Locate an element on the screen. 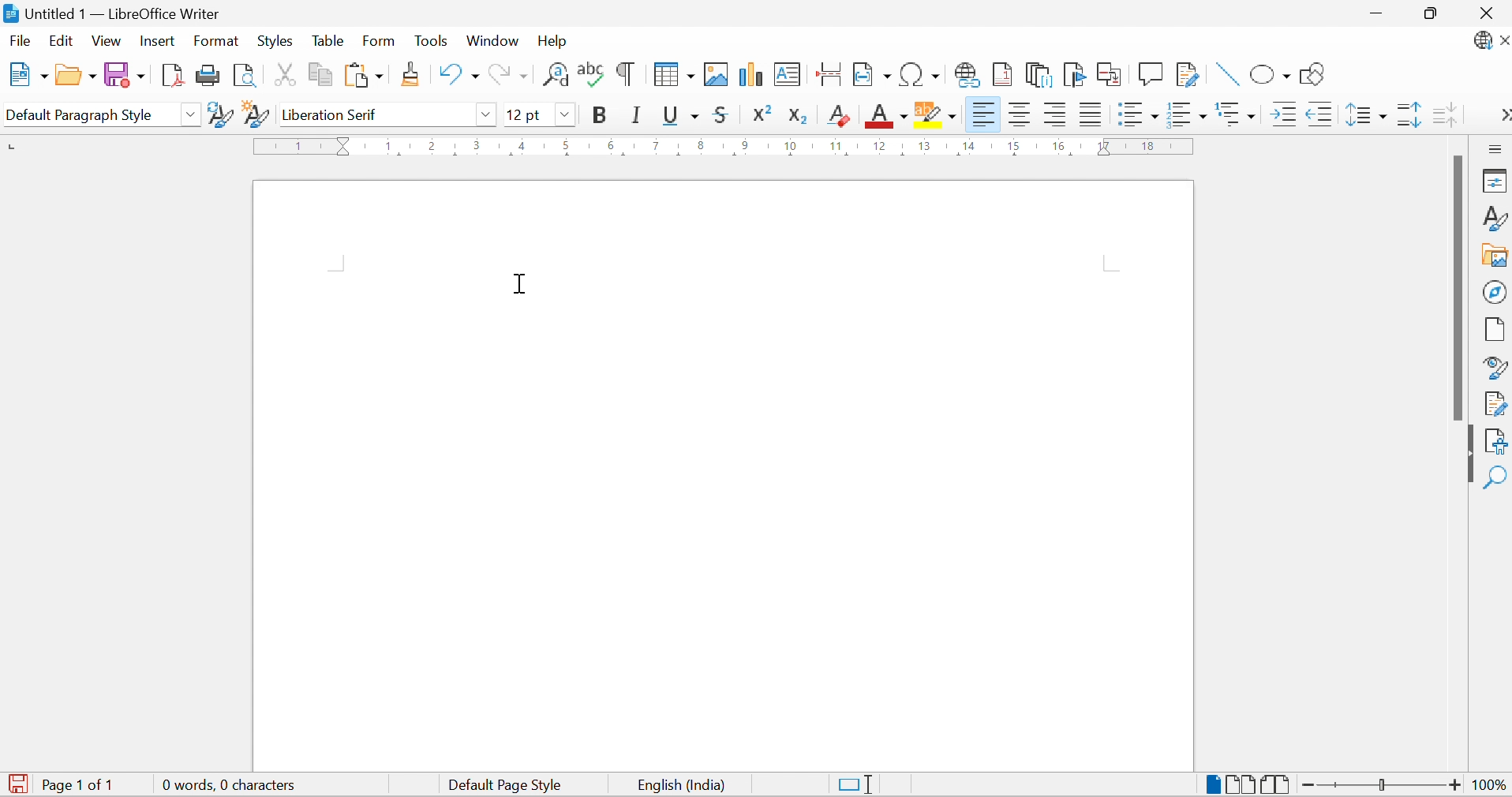 The height and width of the screenshot is (797, 1512). Align Left is located at coordinates (983, 114).